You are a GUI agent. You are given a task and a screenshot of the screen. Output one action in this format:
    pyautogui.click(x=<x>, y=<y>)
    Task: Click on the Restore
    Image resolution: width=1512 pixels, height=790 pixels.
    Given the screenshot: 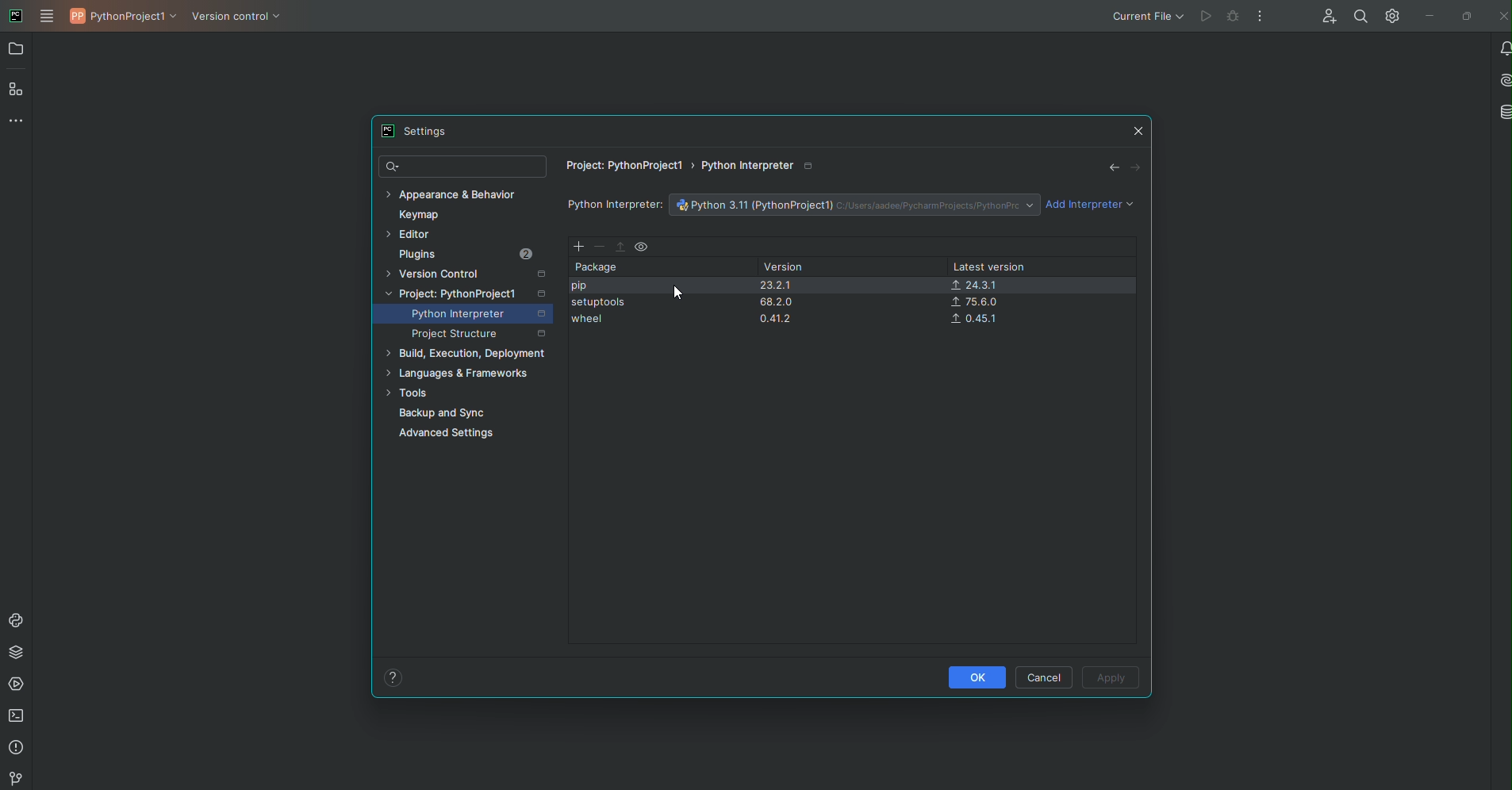 What is the action you would take?
    pyautogui.click(x=1467, y=17)
    